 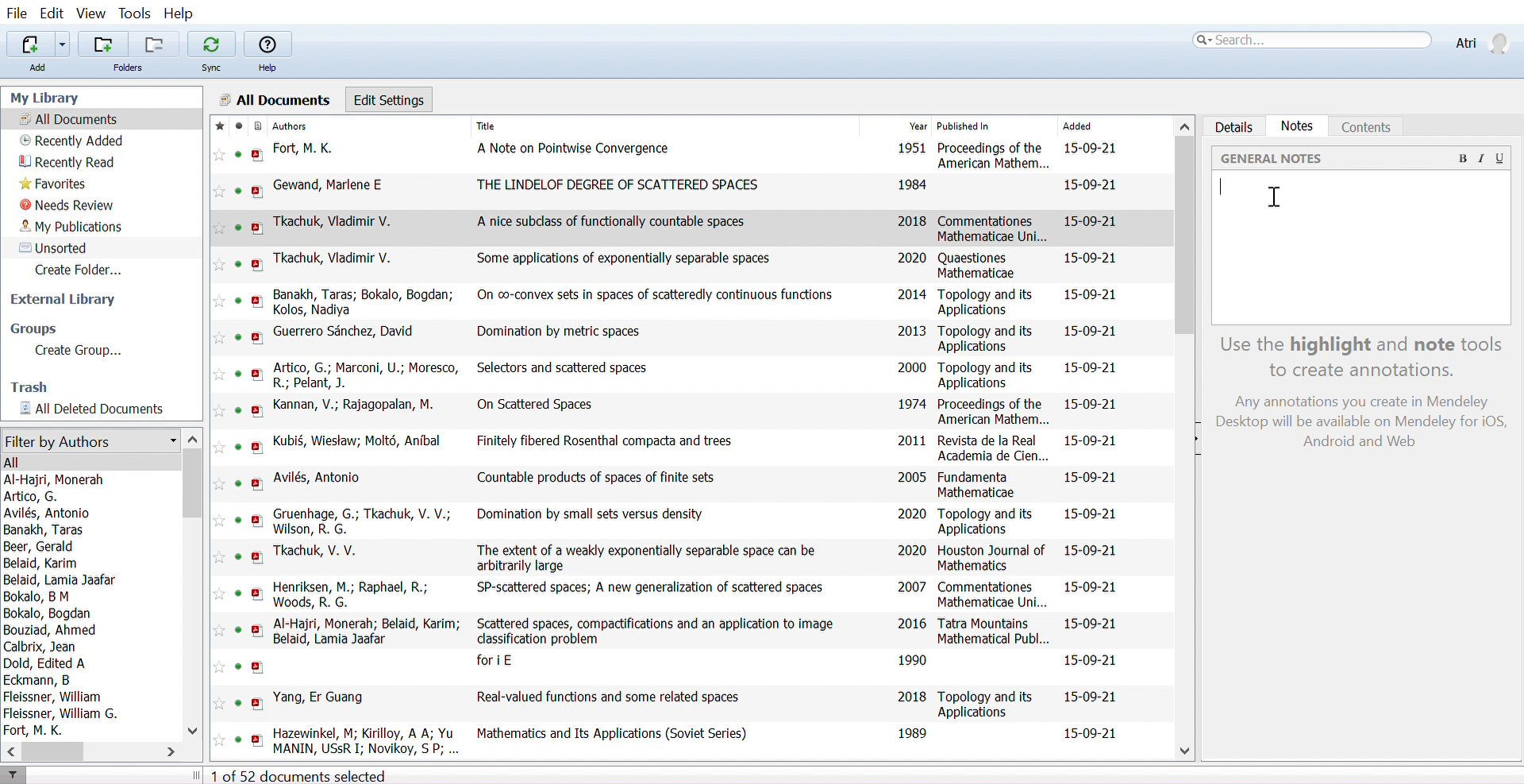 What do you see at coordinates (910, 551) in the screenshot?
I see `2020` at bounding box center [910, 551].